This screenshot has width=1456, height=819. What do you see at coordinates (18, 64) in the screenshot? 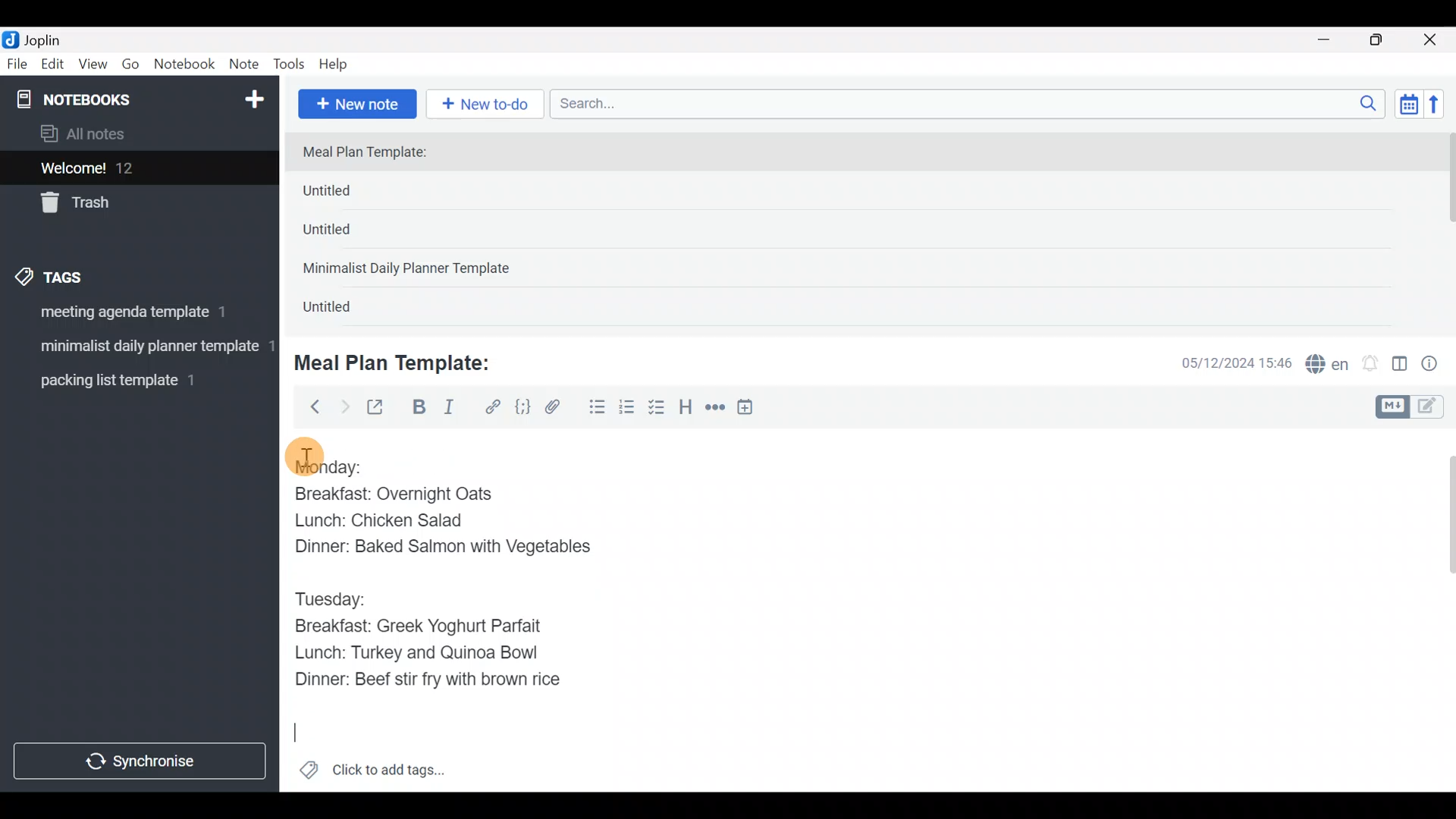
I see `File` at bounding box center [18, 64].